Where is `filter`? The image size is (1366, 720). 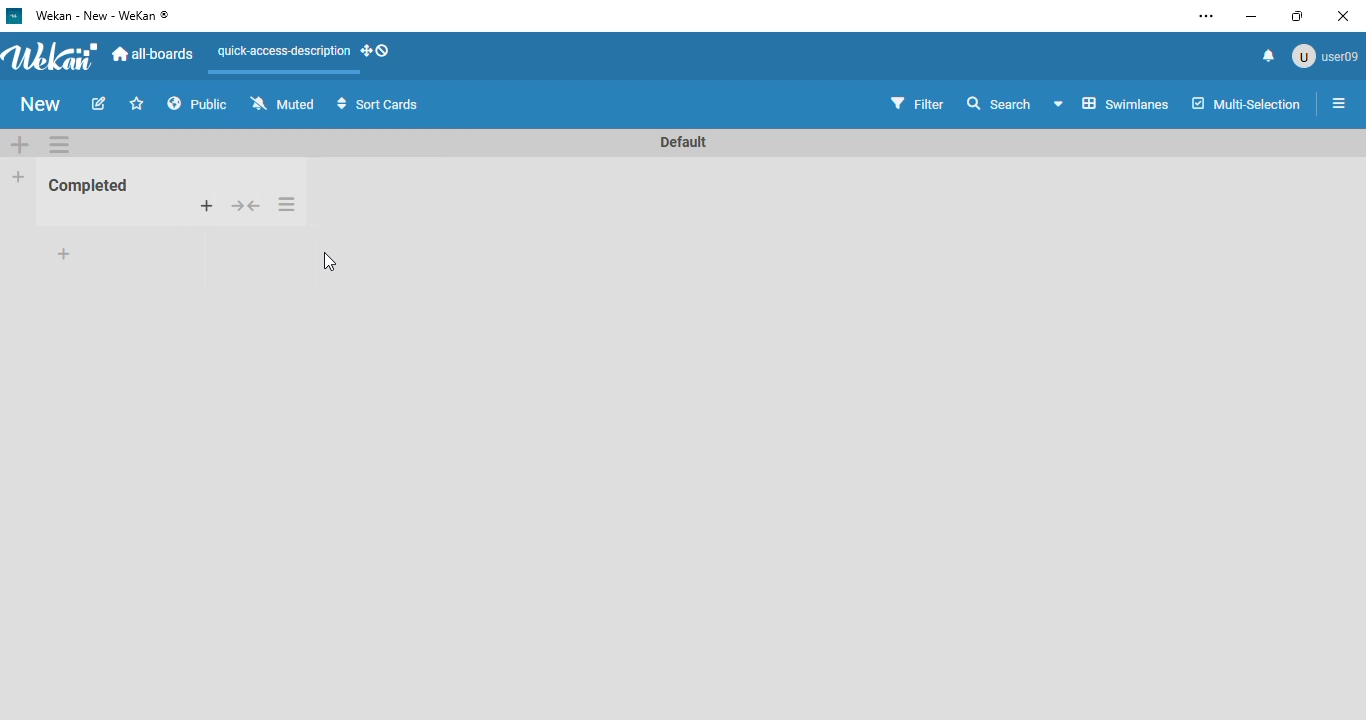 filter is located at coordinates (916, 104).